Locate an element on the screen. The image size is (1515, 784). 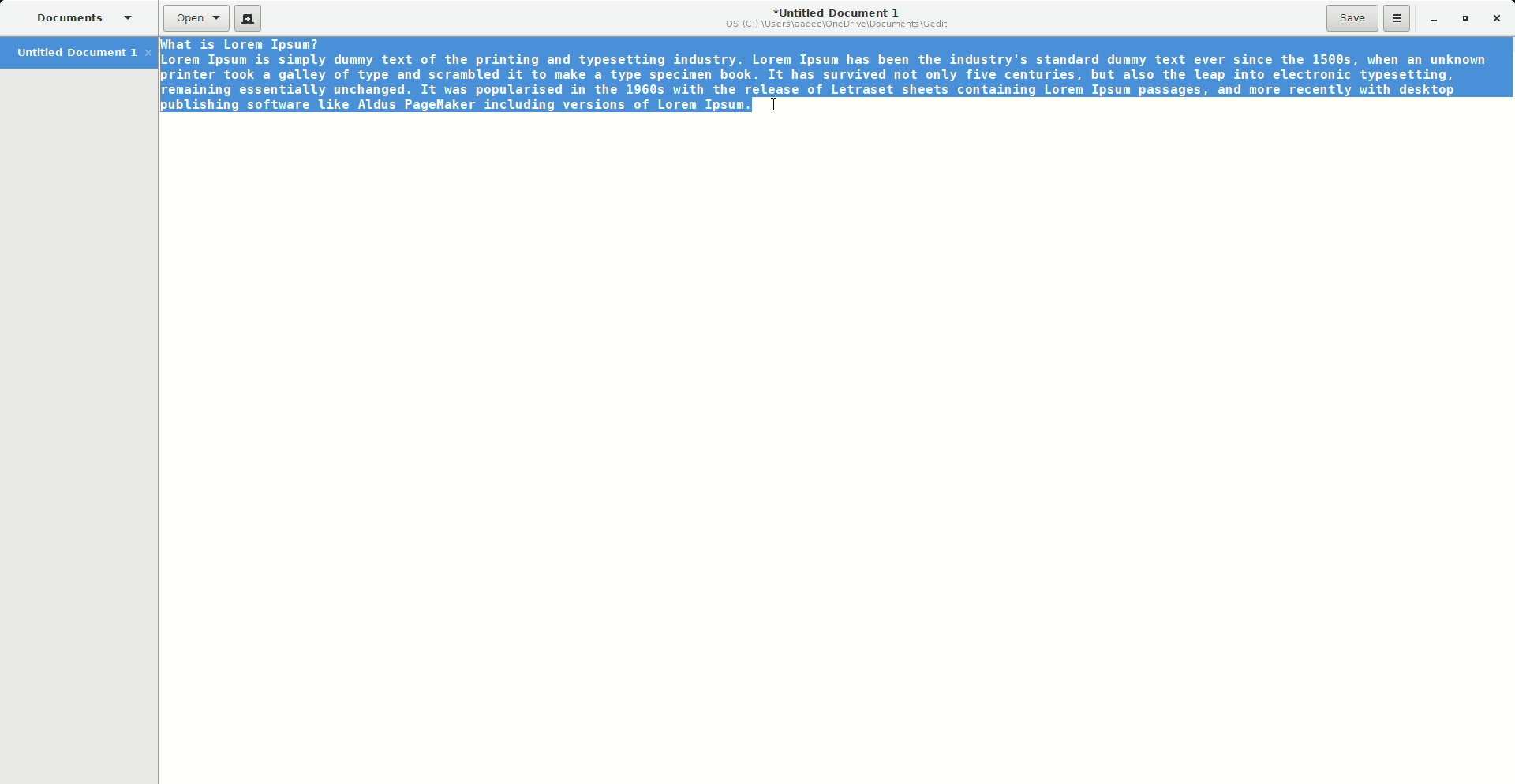
Untitled Document is located at coordinates (82, 51).